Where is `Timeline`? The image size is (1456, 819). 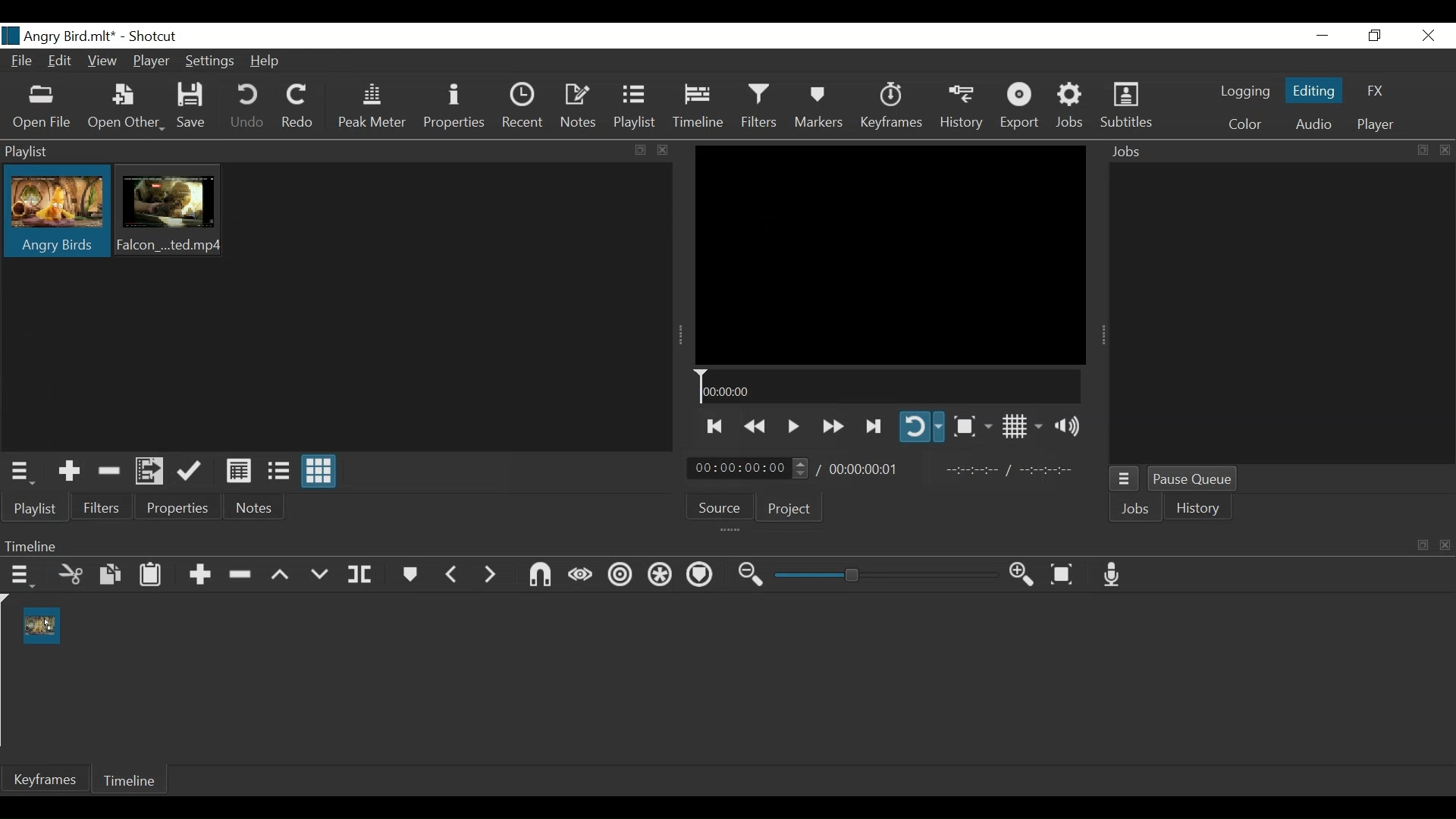
Timeline is located at coordinates (890, 387).